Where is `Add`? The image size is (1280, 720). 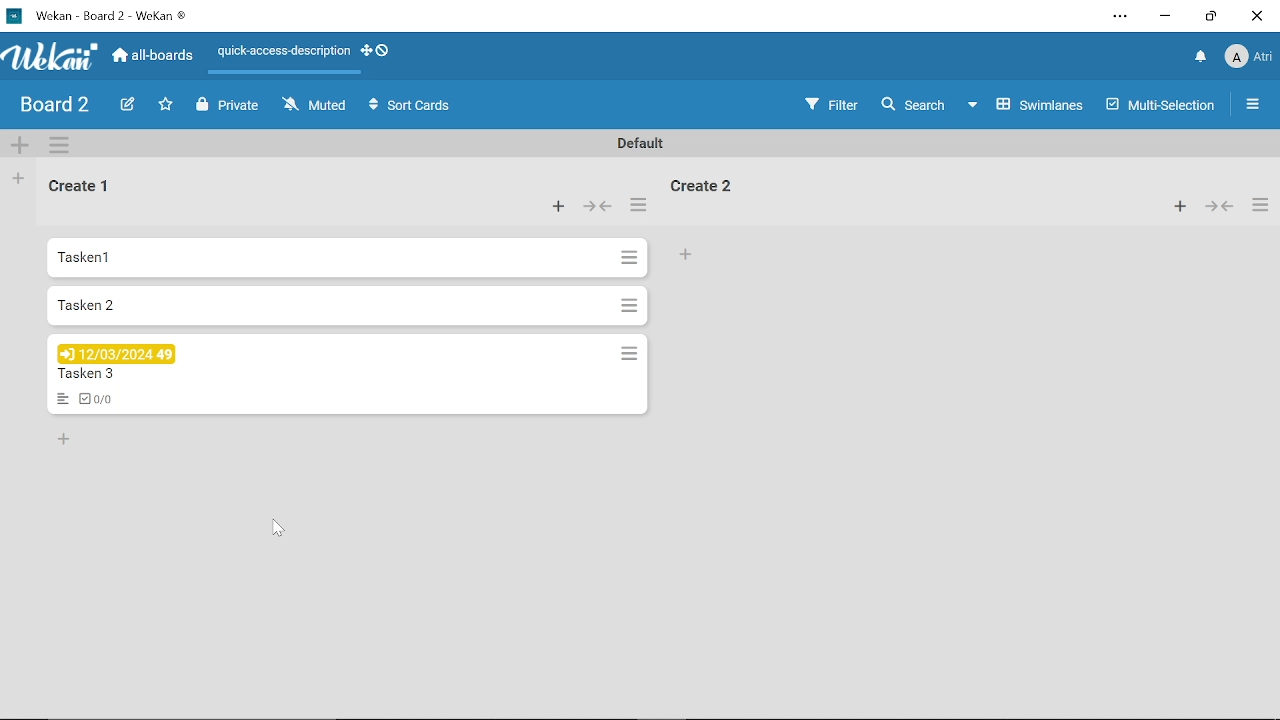
Add is located at coordinates (686, 253).